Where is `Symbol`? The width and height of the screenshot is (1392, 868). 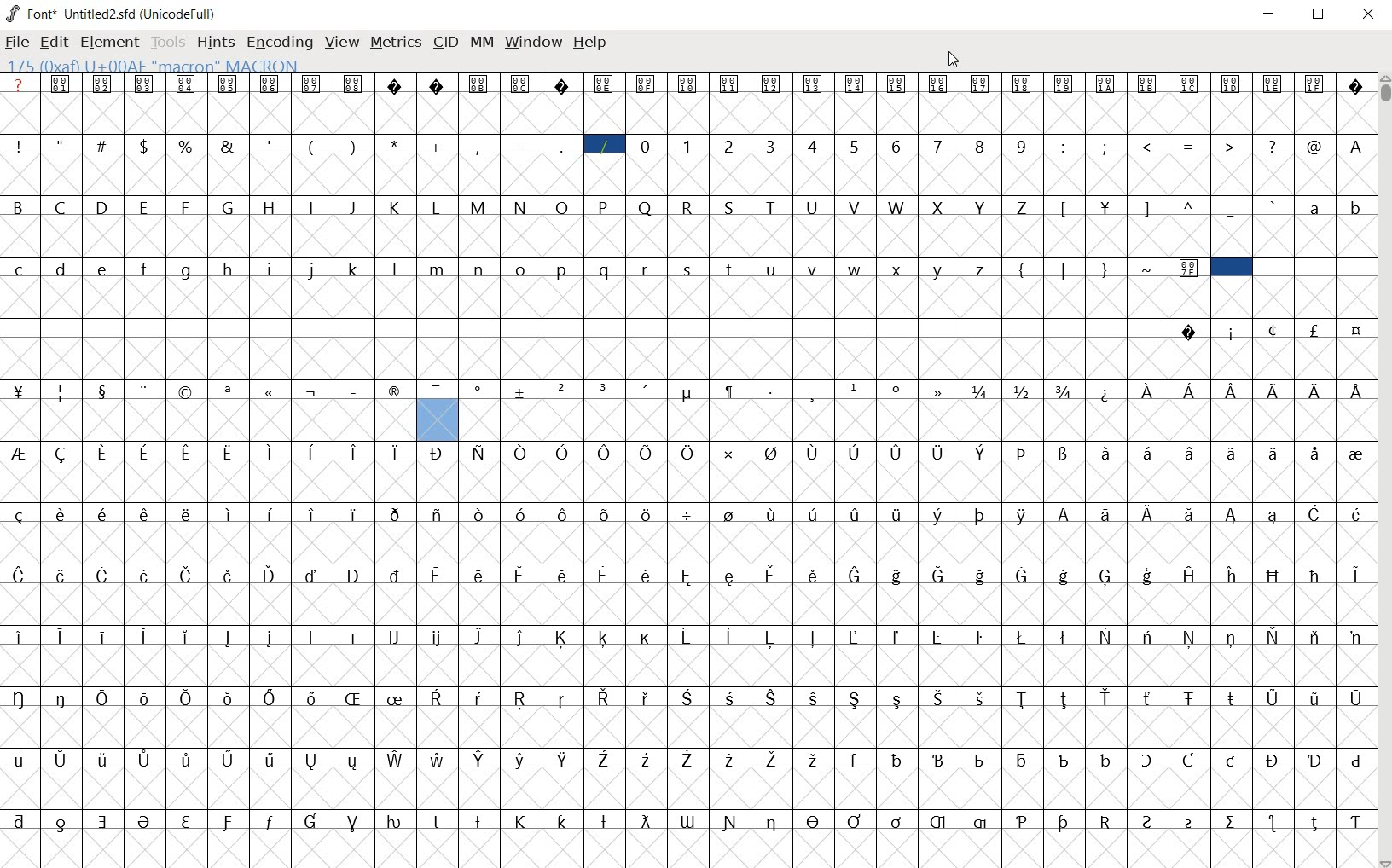
Symbol is located at coordinates (314, 820).